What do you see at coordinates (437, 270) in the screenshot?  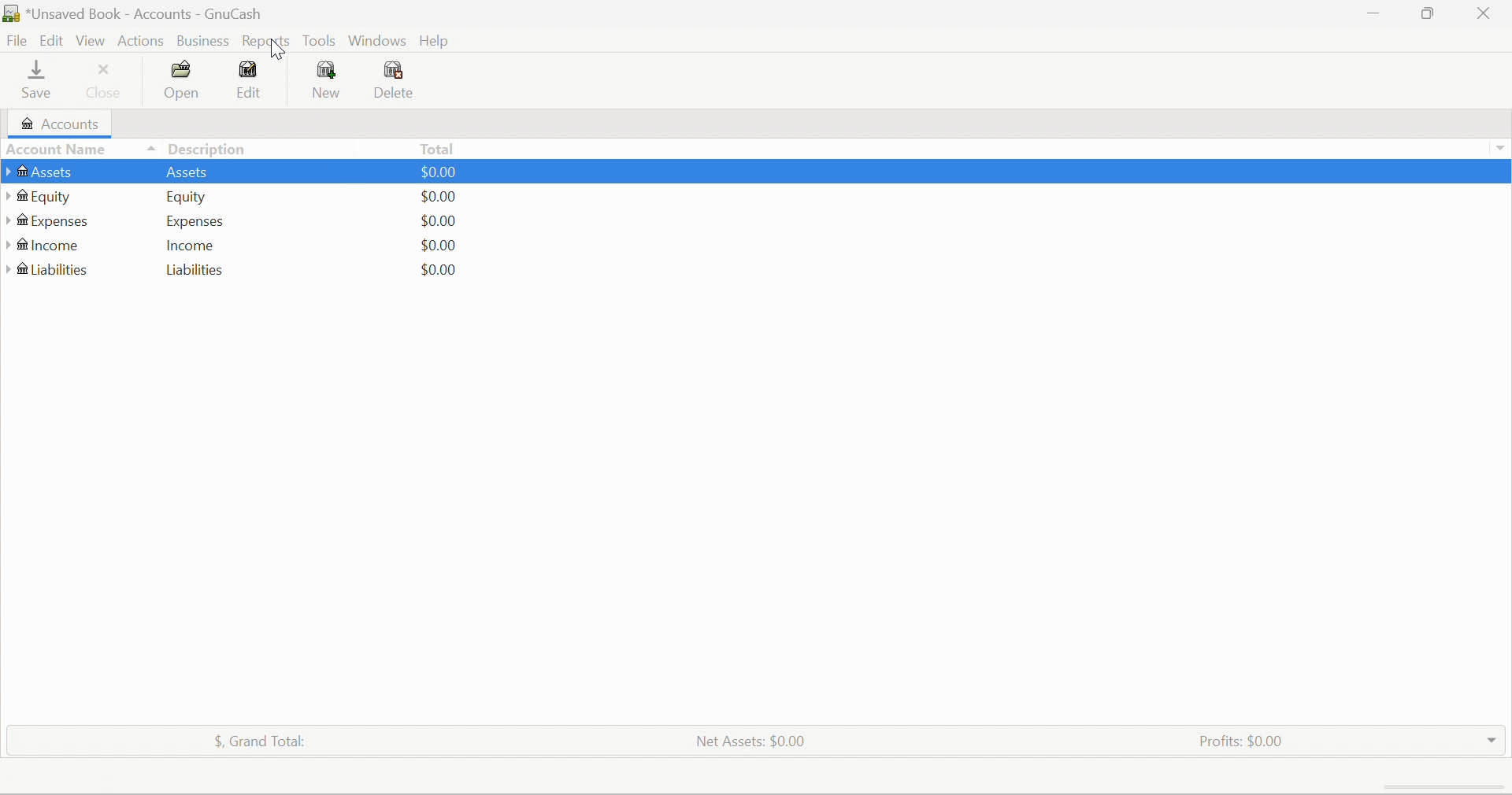 I see `$0.00` at bounding box center [437, 270].